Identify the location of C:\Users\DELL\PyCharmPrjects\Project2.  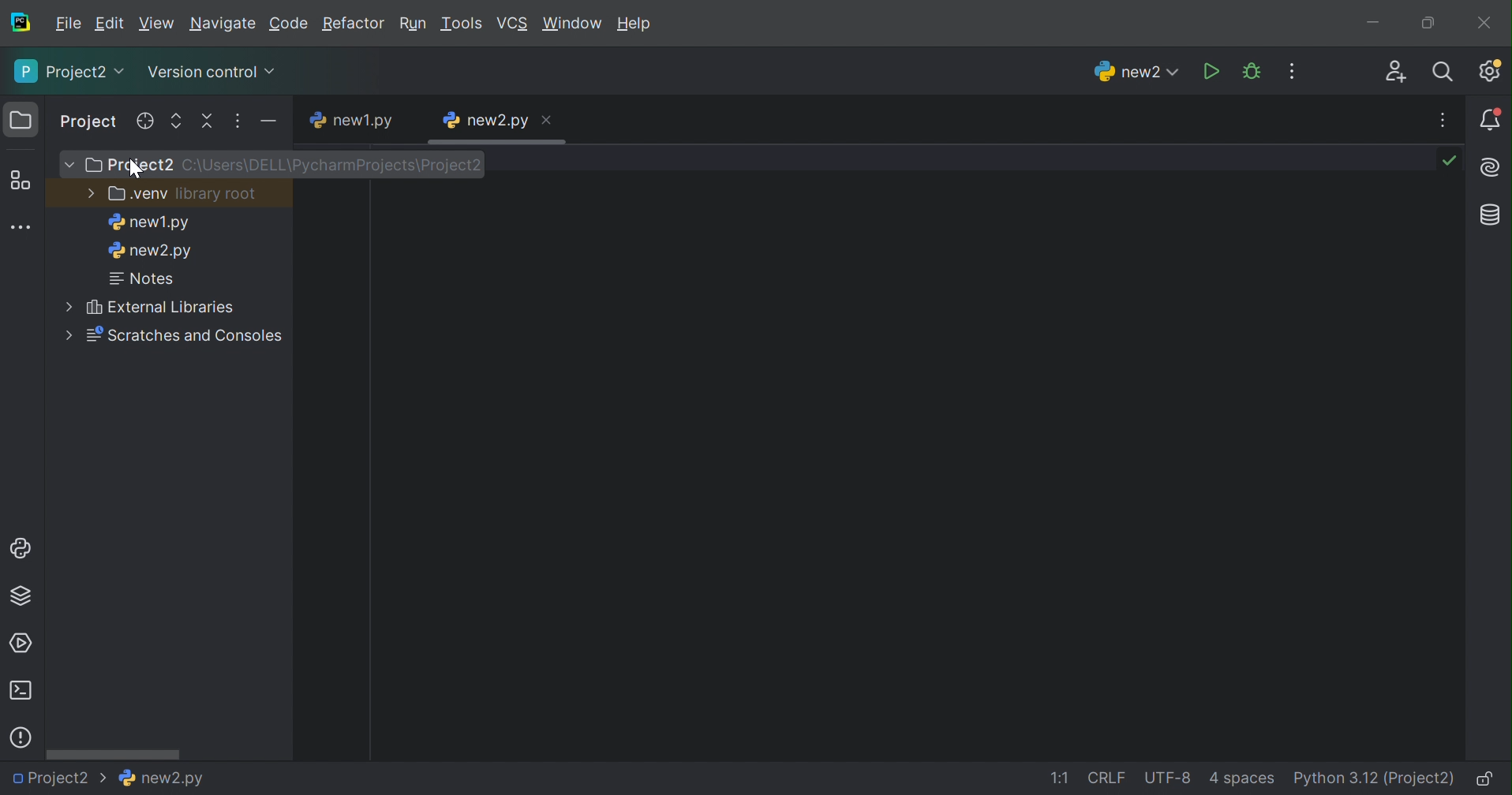
(331, 166).